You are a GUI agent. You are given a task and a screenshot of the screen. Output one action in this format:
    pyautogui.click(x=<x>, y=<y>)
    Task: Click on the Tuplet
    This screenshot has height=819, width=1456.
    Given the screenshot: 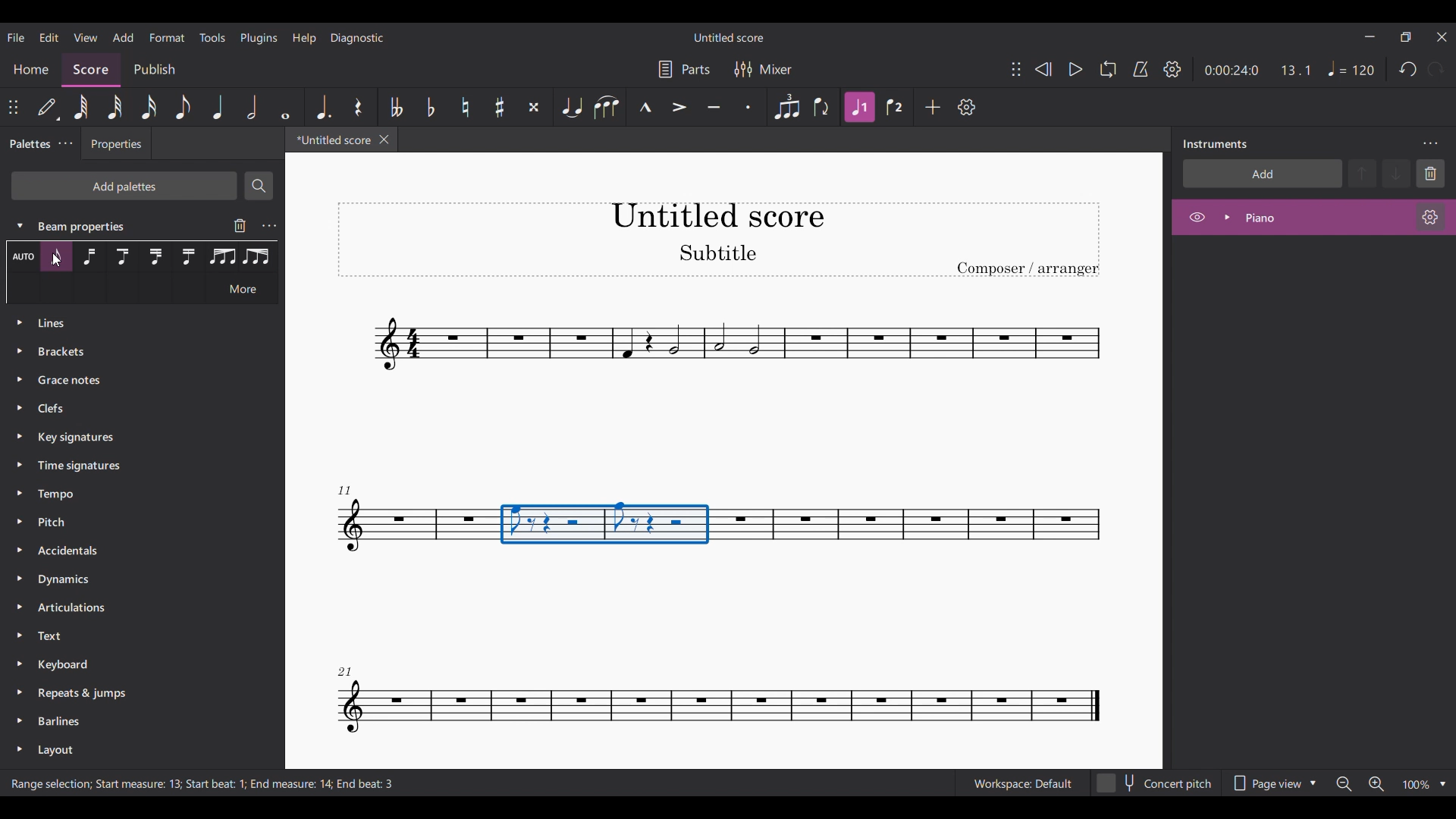 What is the action you would take?
    pyautogui.click(x=787, y=107)
    